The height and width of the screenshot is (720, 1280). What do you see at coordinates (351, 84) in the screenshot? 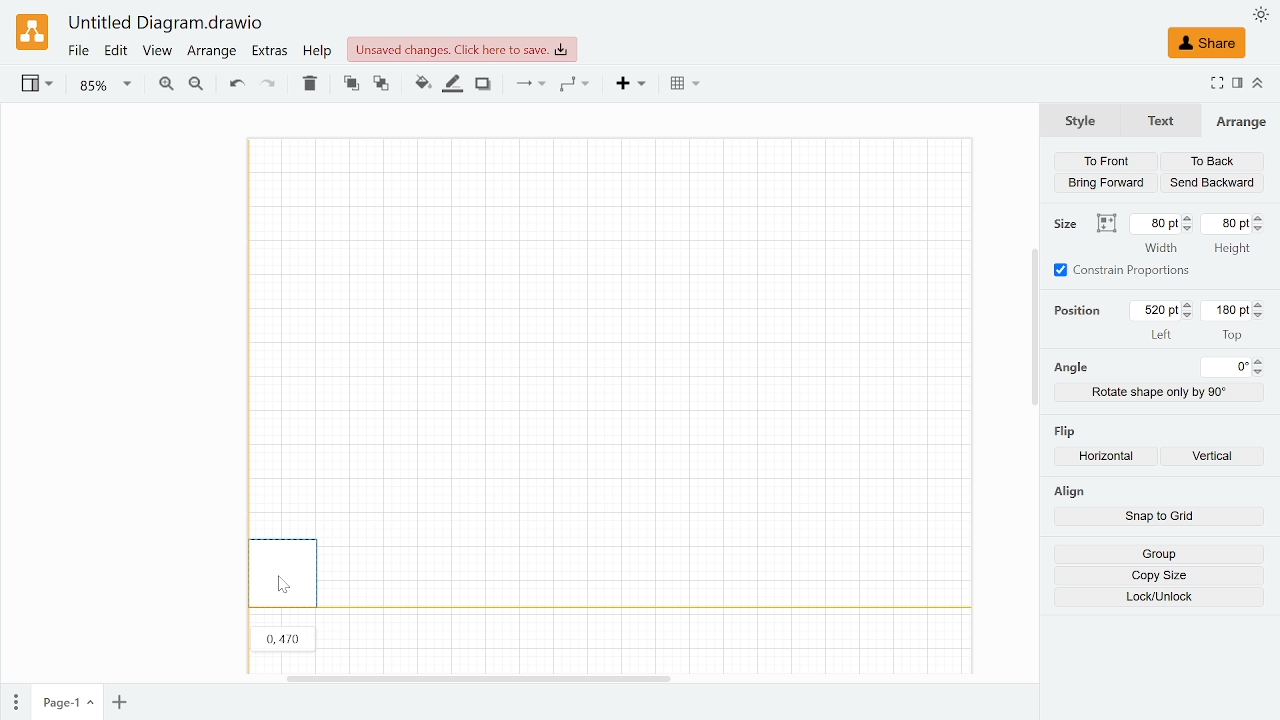
I see `To font` at bounding box center [351, 84].